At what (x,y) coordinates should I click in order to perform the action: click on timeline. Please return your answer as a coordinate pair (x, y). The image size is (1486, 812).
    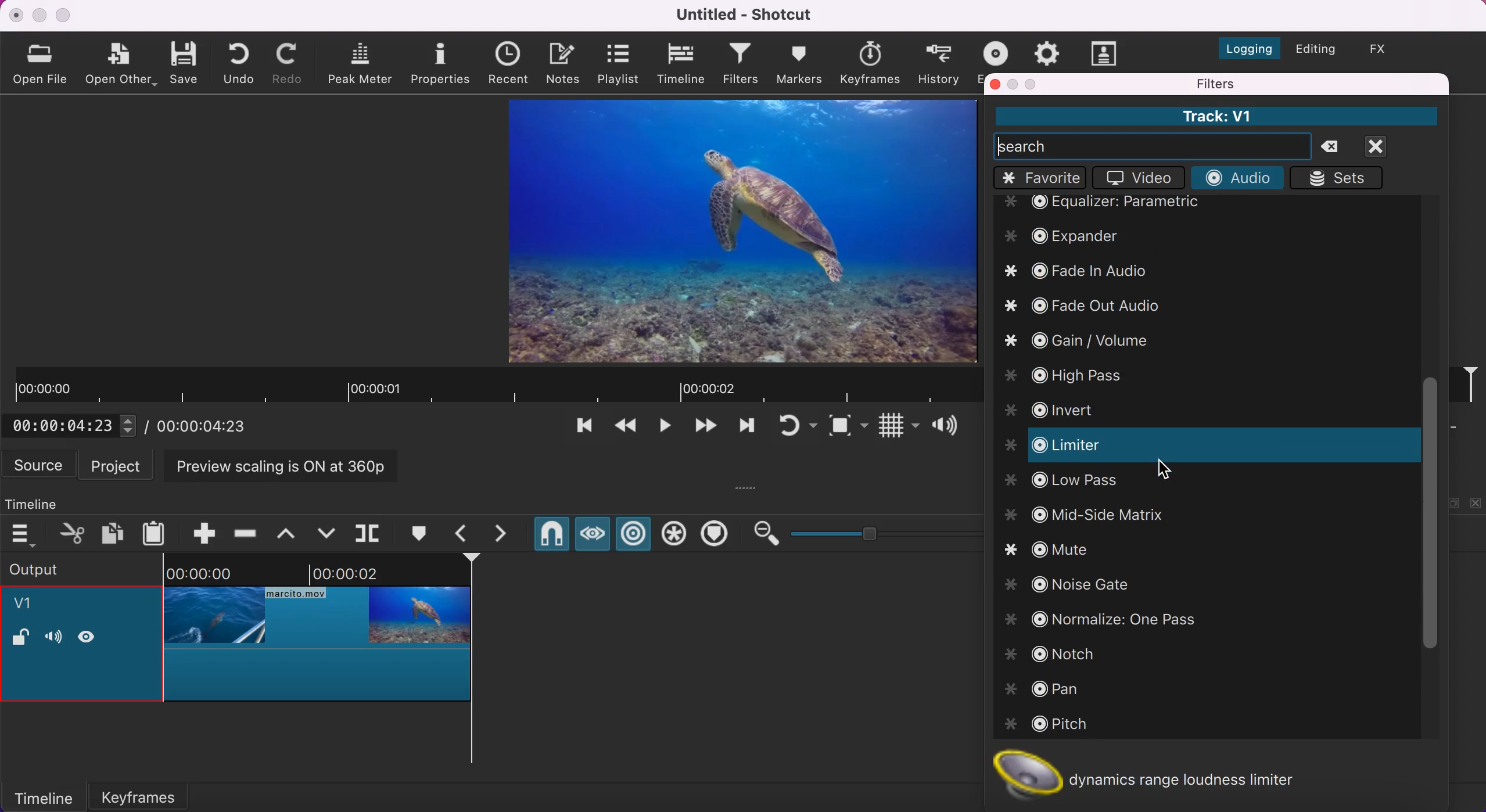
    Looking at the image, I should click on (44, 501).